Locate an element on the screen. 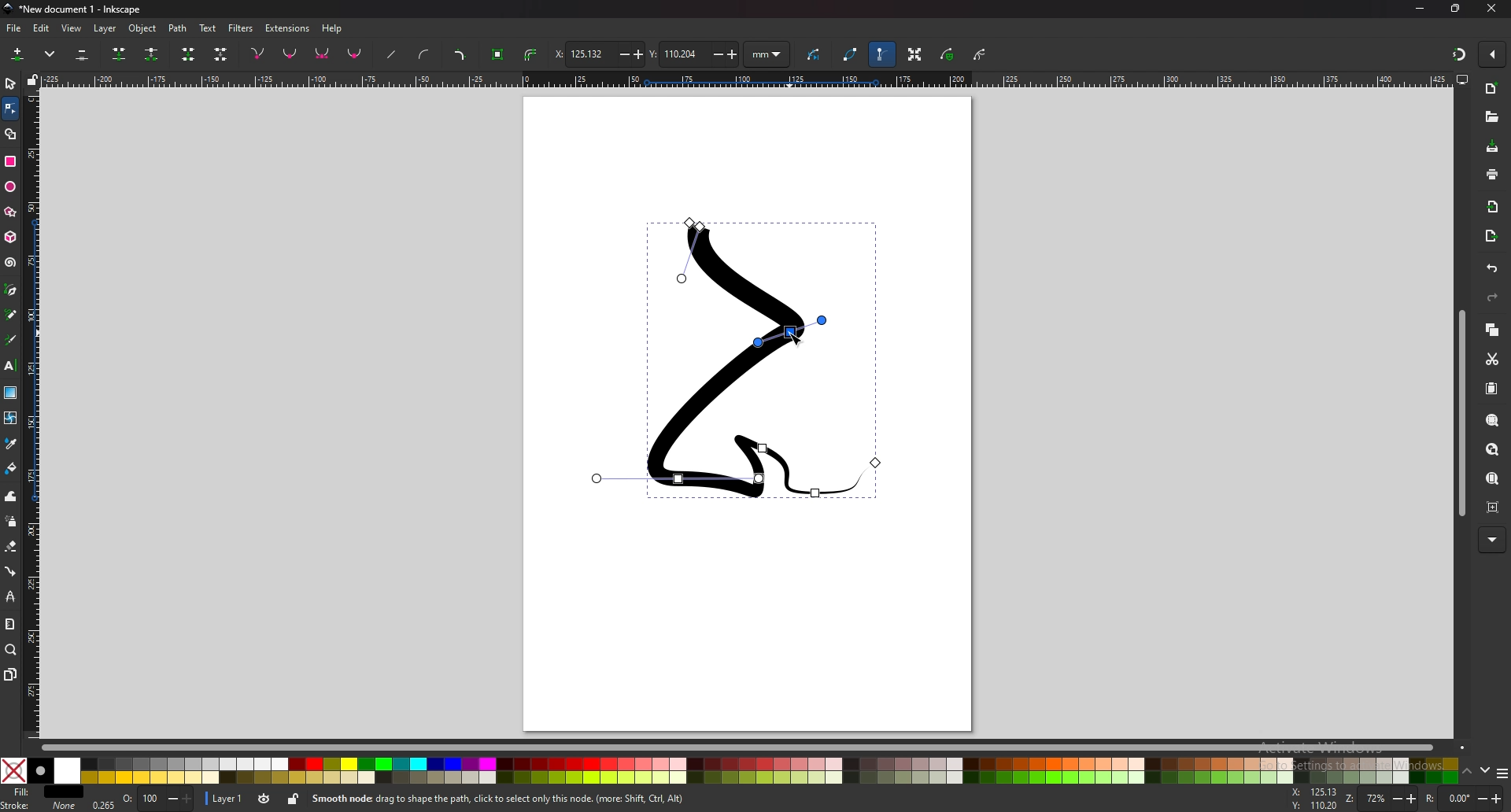 This screenshot has width=1511, height=812. 3d box is located at coordinates (10, 237).